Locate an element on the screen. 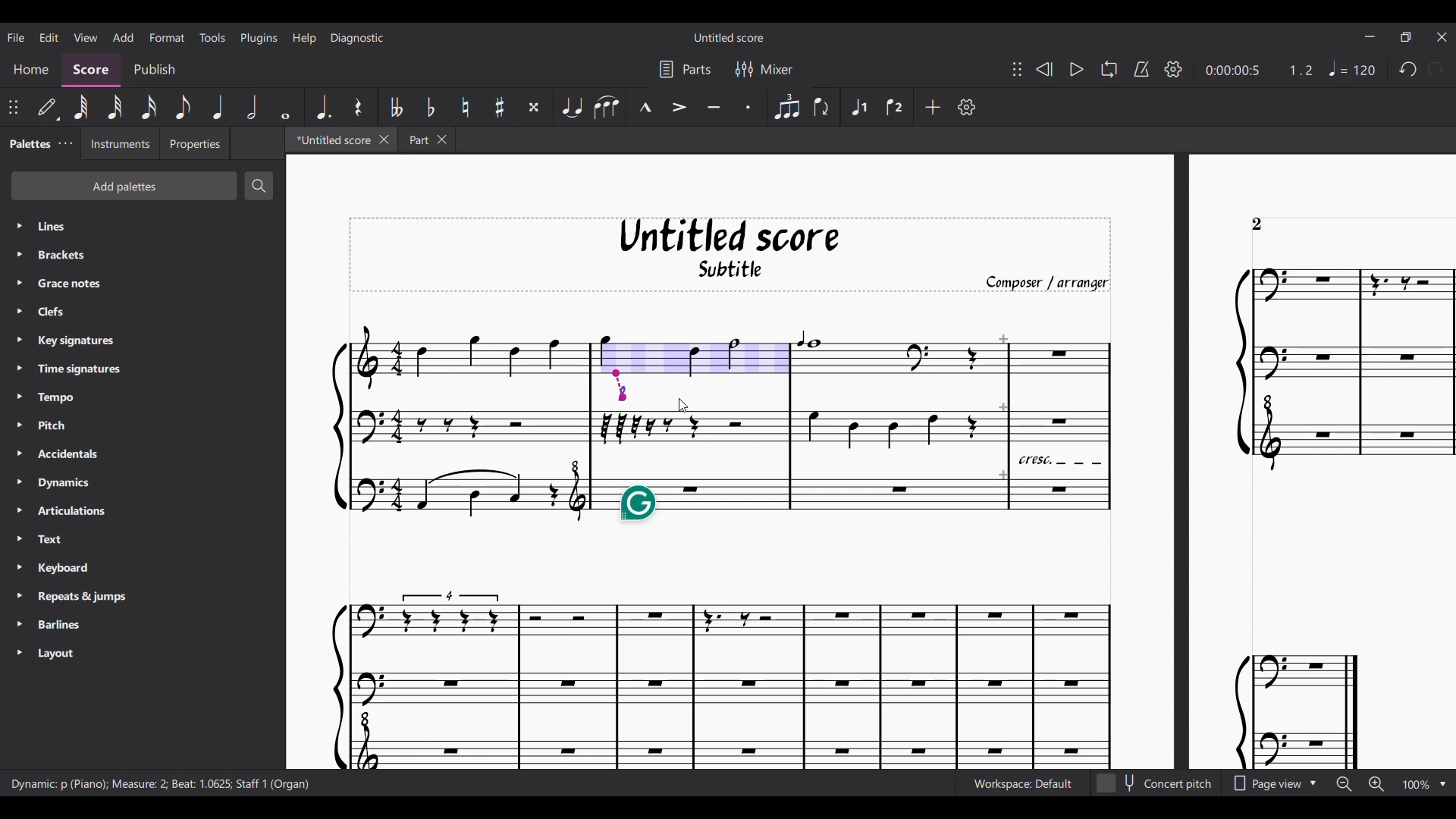  Tie is located at coordinates (571, 107).